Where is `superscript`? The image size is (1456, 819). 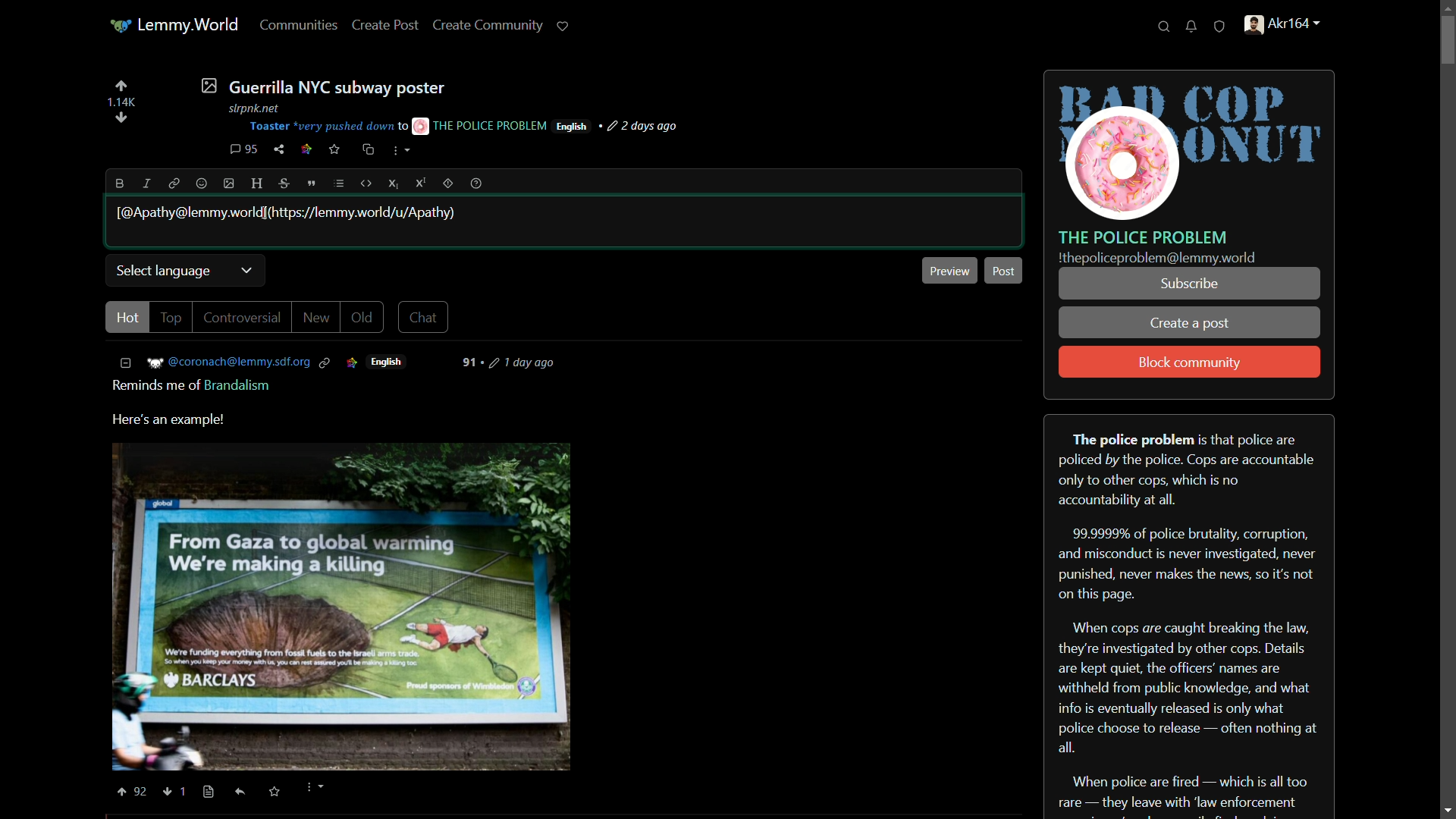 superscript is located at coordinates (421, 183).